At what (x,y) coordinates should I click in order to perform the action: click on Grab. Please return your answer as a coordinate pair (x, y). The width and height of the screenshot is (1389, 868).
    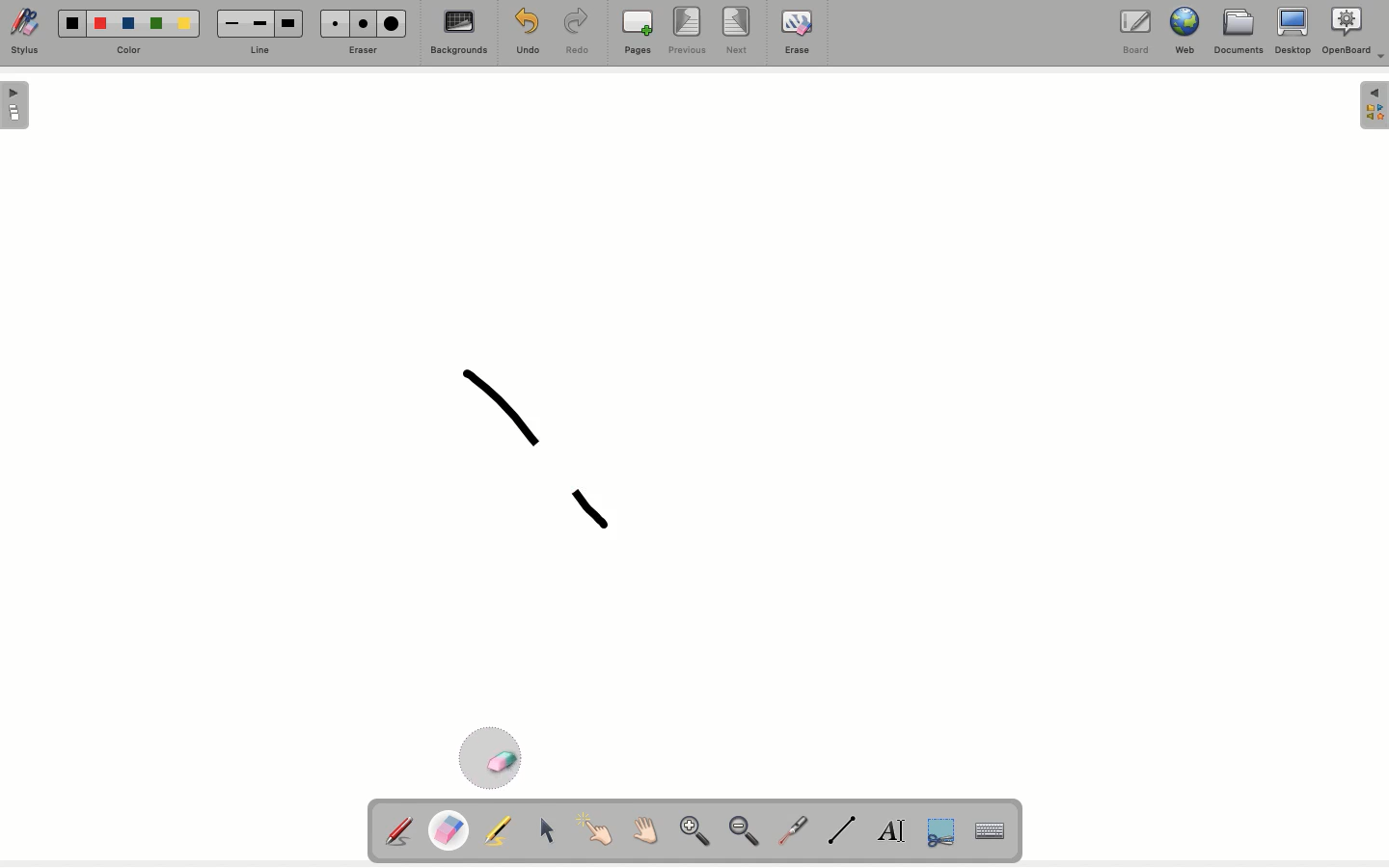
    Looking at the image, I should click on (643, 831).